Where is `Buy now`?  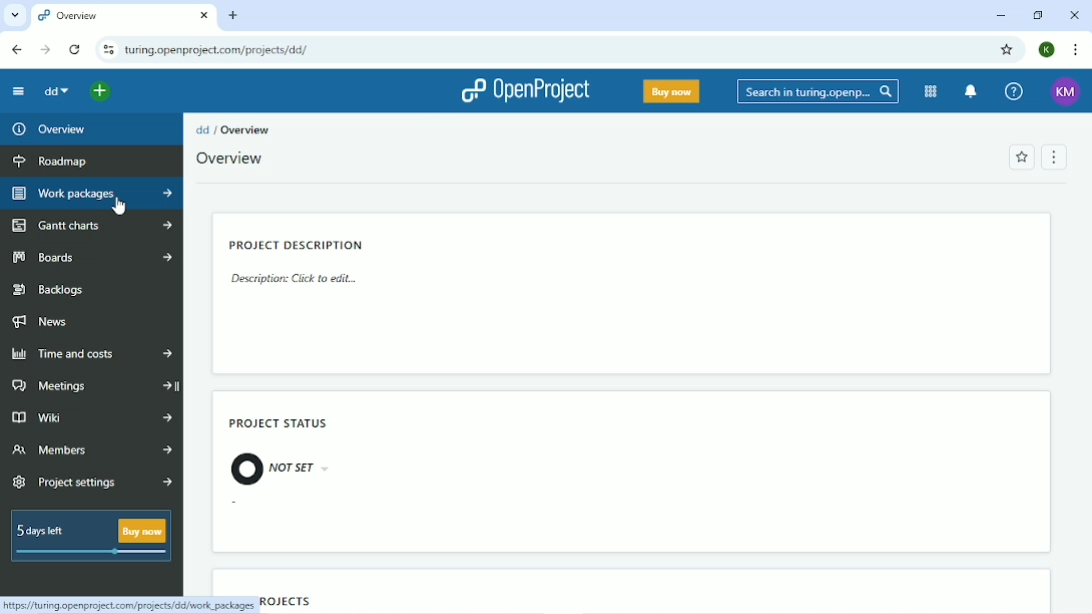
Buy now is located at coordinates (671, 91).